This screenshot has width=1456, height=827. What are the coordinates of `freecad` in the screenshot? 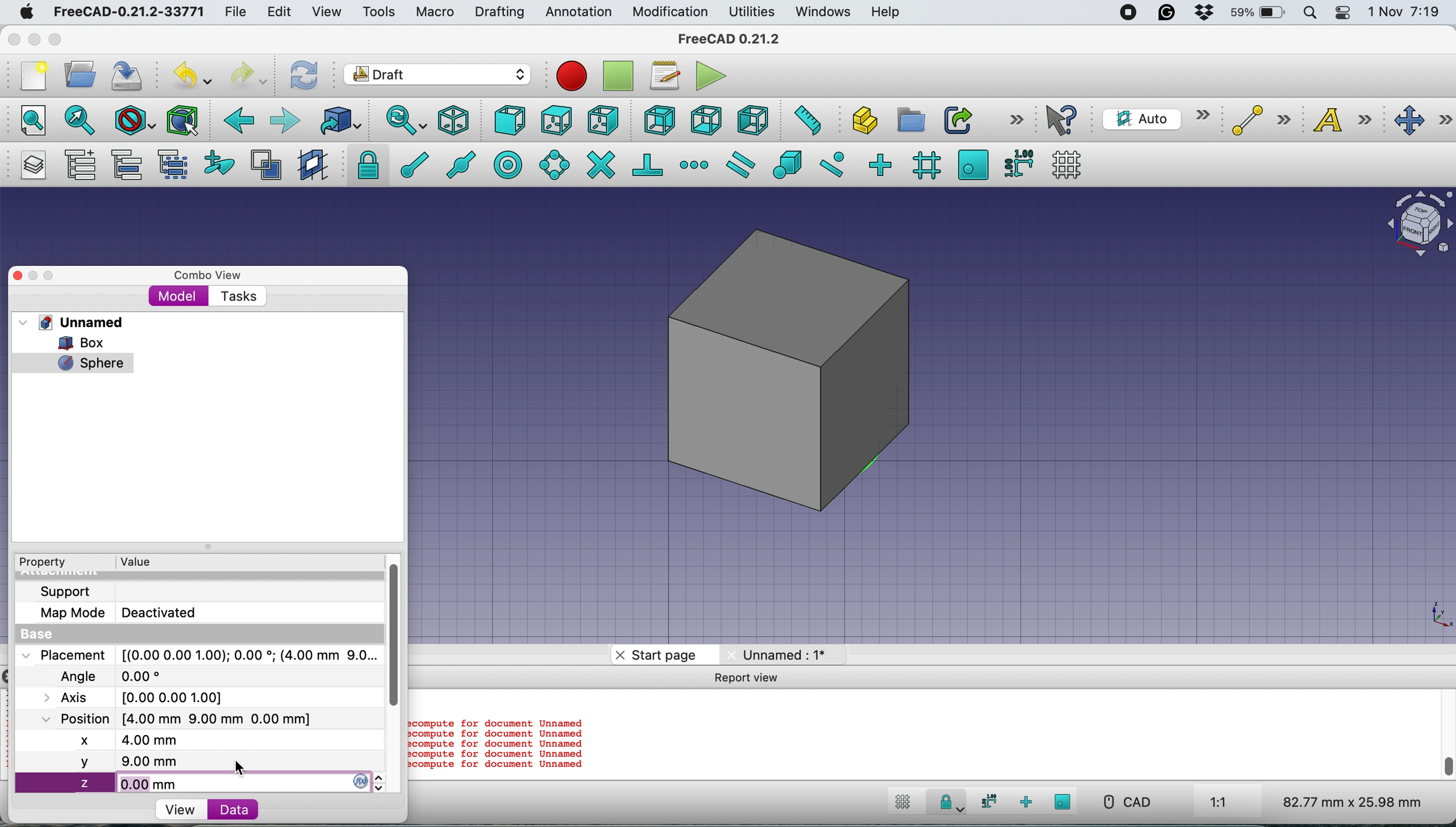 It's located at (738, 39).